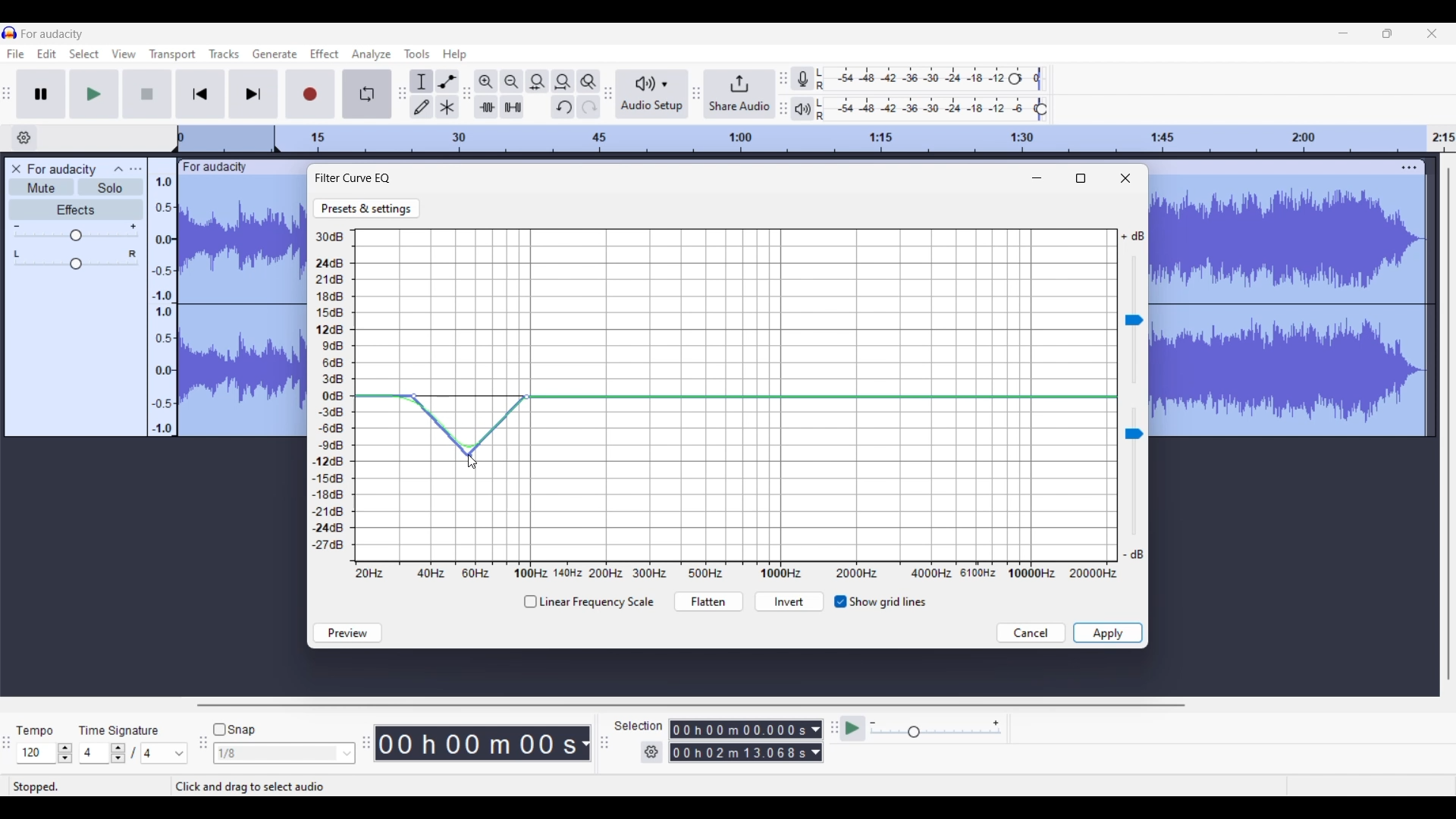  I want to click on Selection duration, so click(739, 742).